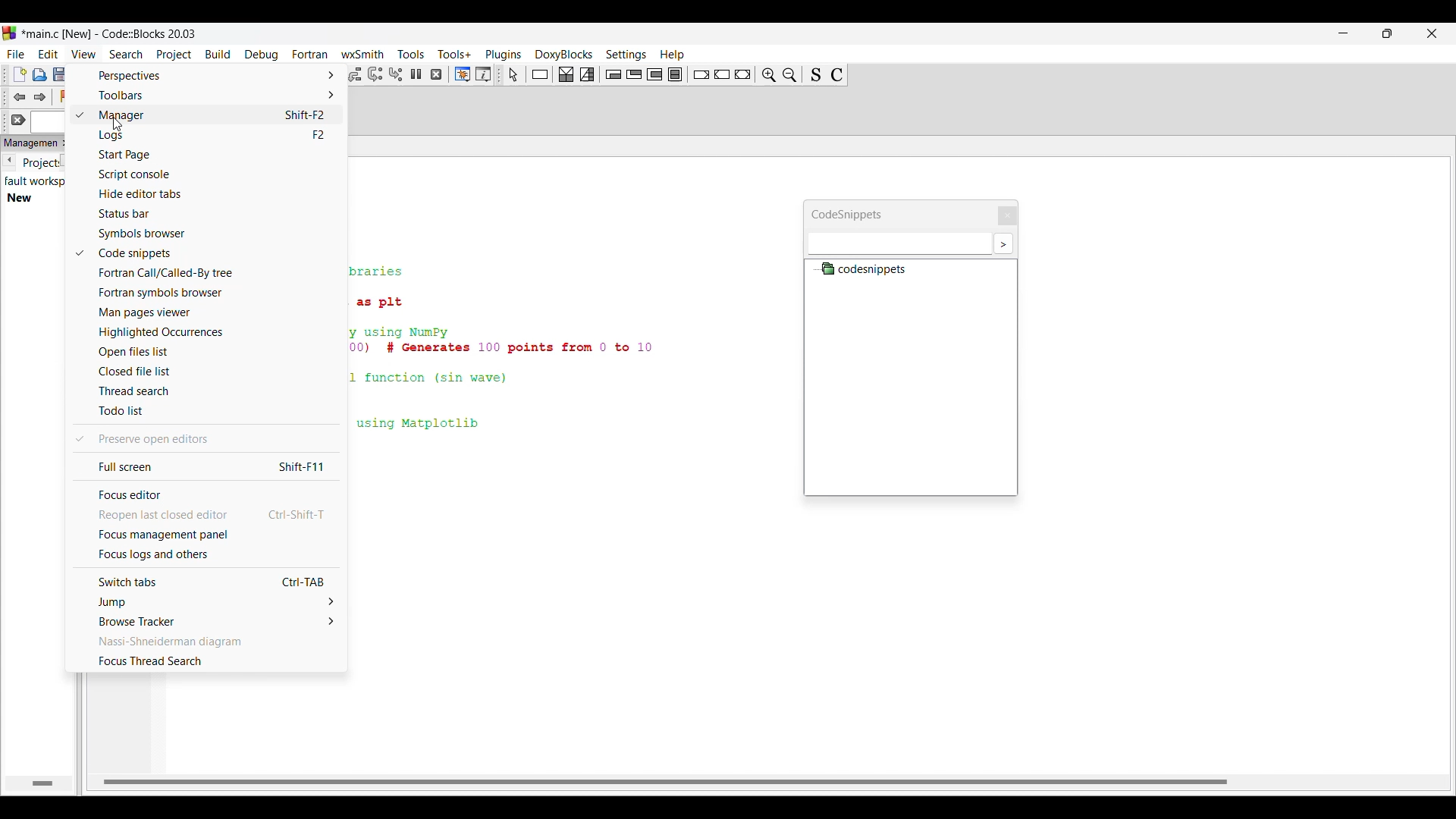 The height and width of the screenshot is (819, 1456). What do you see at coordinates (215, 234) in the screenshot?
I see `Symbol browser` at bounding box center [215, 234].